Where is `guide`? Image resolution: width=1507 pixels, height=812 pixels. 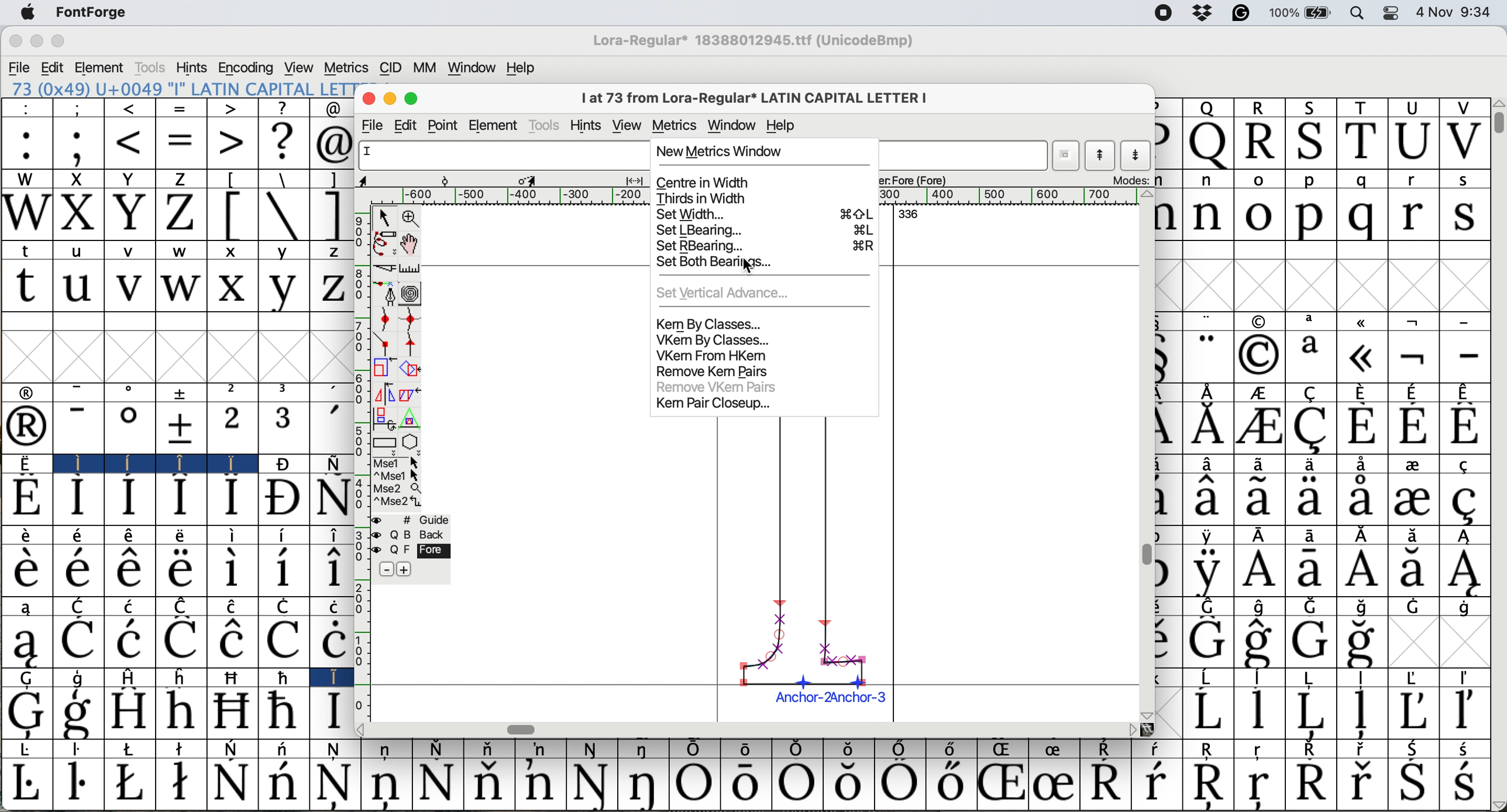 guide is located at coordinates (426, 519).